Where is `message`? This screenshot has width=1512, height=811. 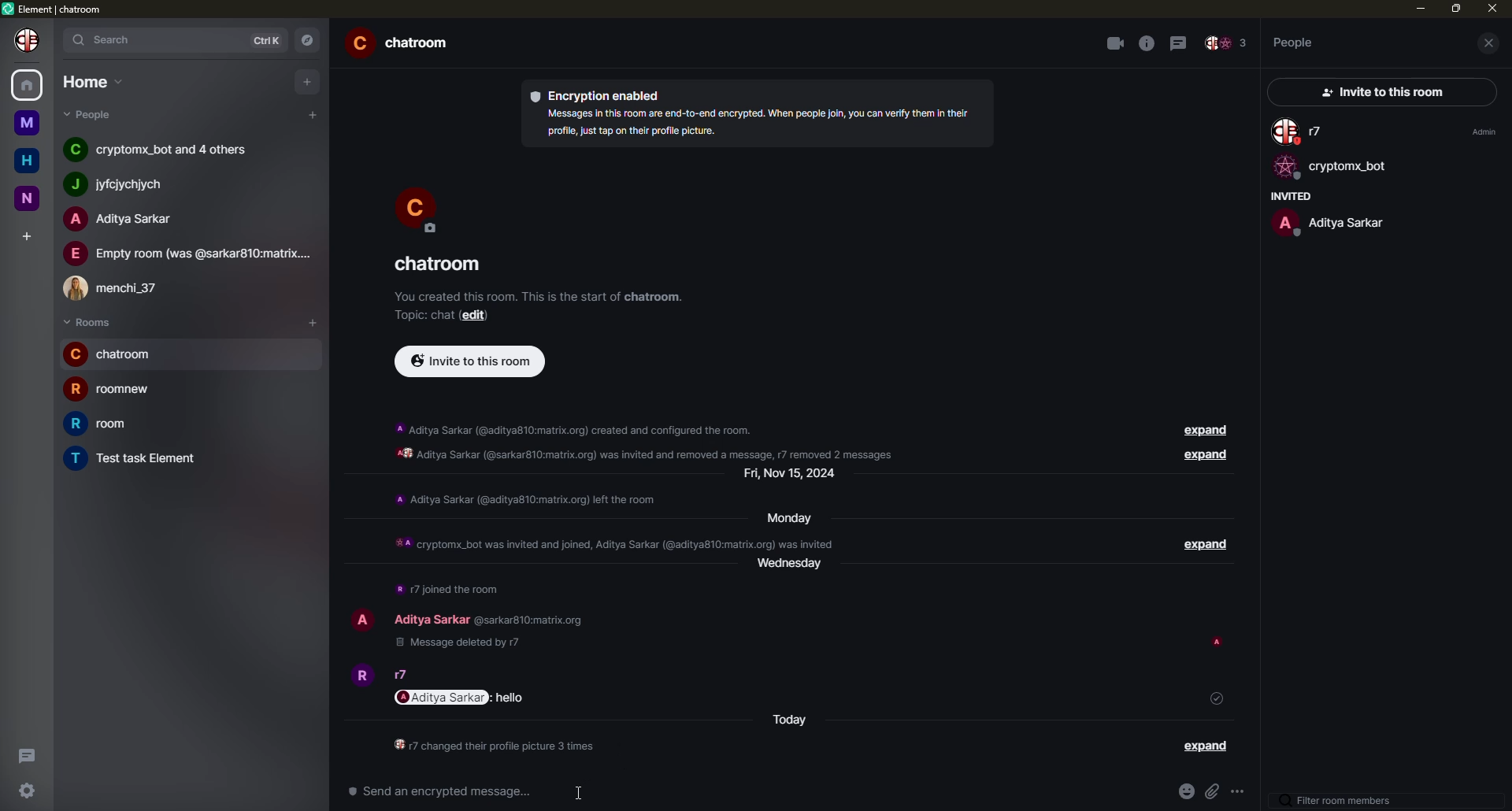
message is located at coordinates (511, 698).